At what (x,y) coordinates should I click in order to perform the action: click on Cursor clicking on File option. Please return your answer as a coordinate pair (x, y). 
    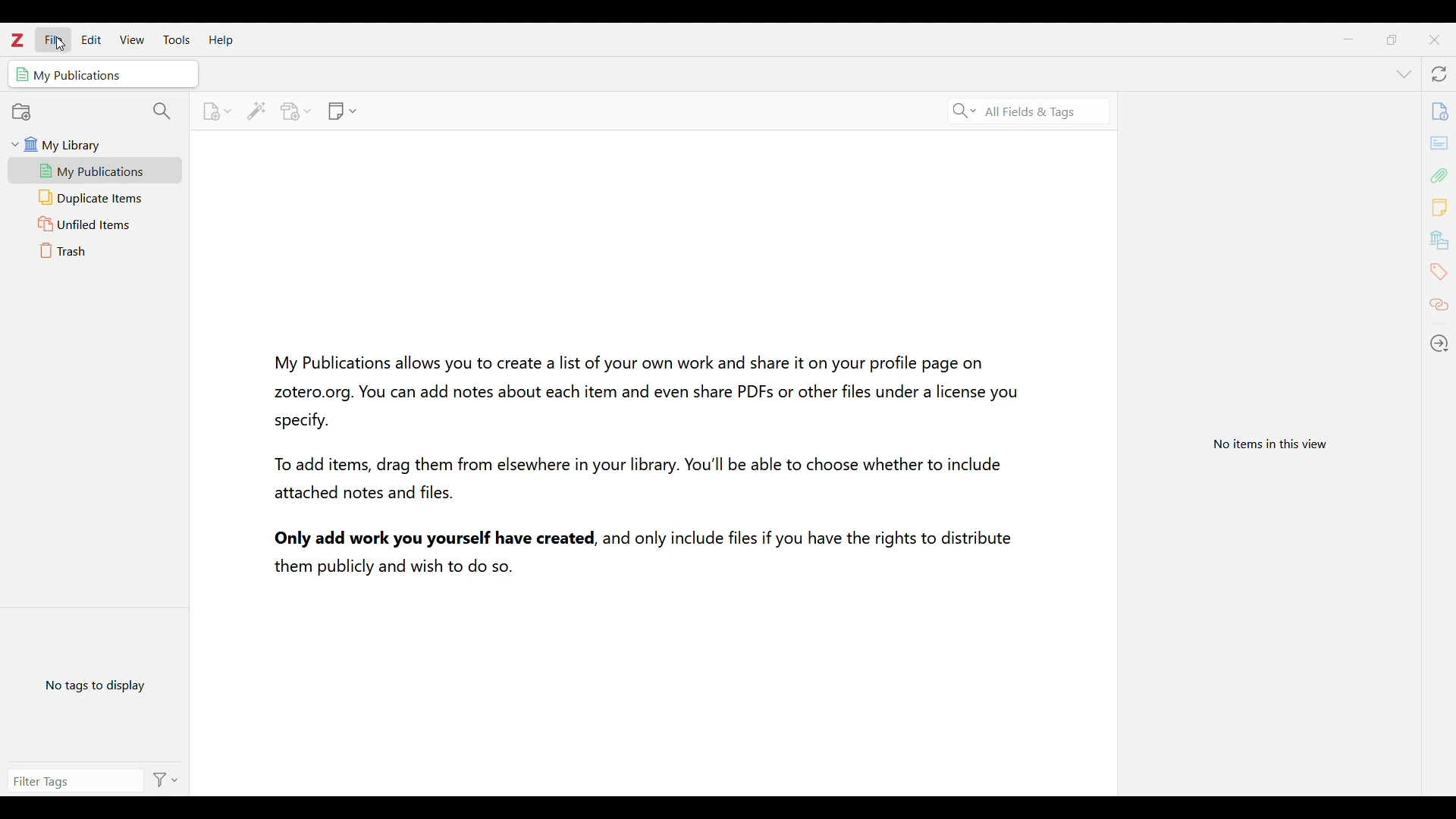
    Looking at the image, I should click on (60, 43).